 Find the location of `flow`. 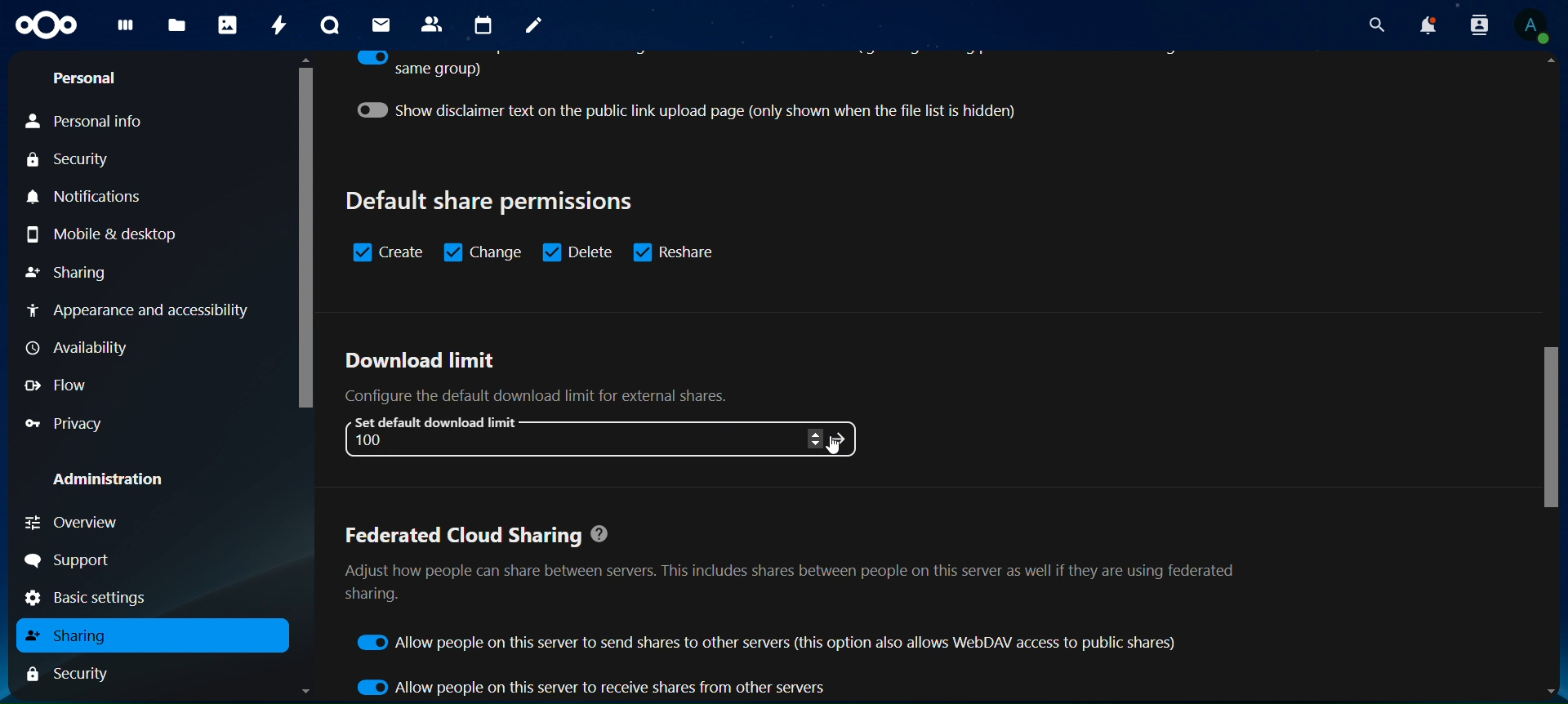

flow is located at coordinates (56, 385).